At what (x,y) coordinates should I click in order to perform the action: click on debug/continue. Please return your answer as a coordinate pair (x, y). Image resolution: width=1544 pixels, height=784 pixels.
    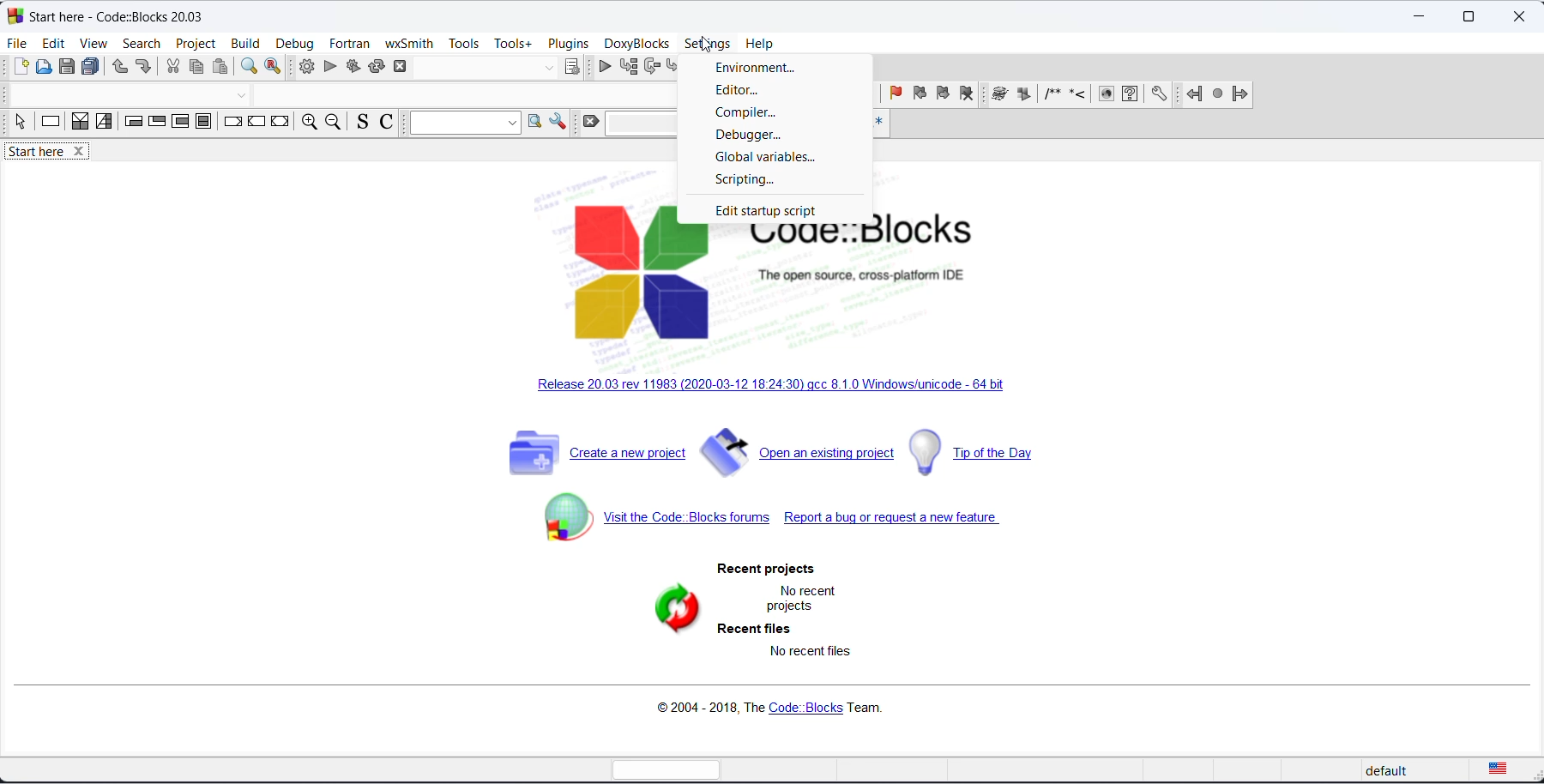
    Looking at the image, I should click on (603, 67).